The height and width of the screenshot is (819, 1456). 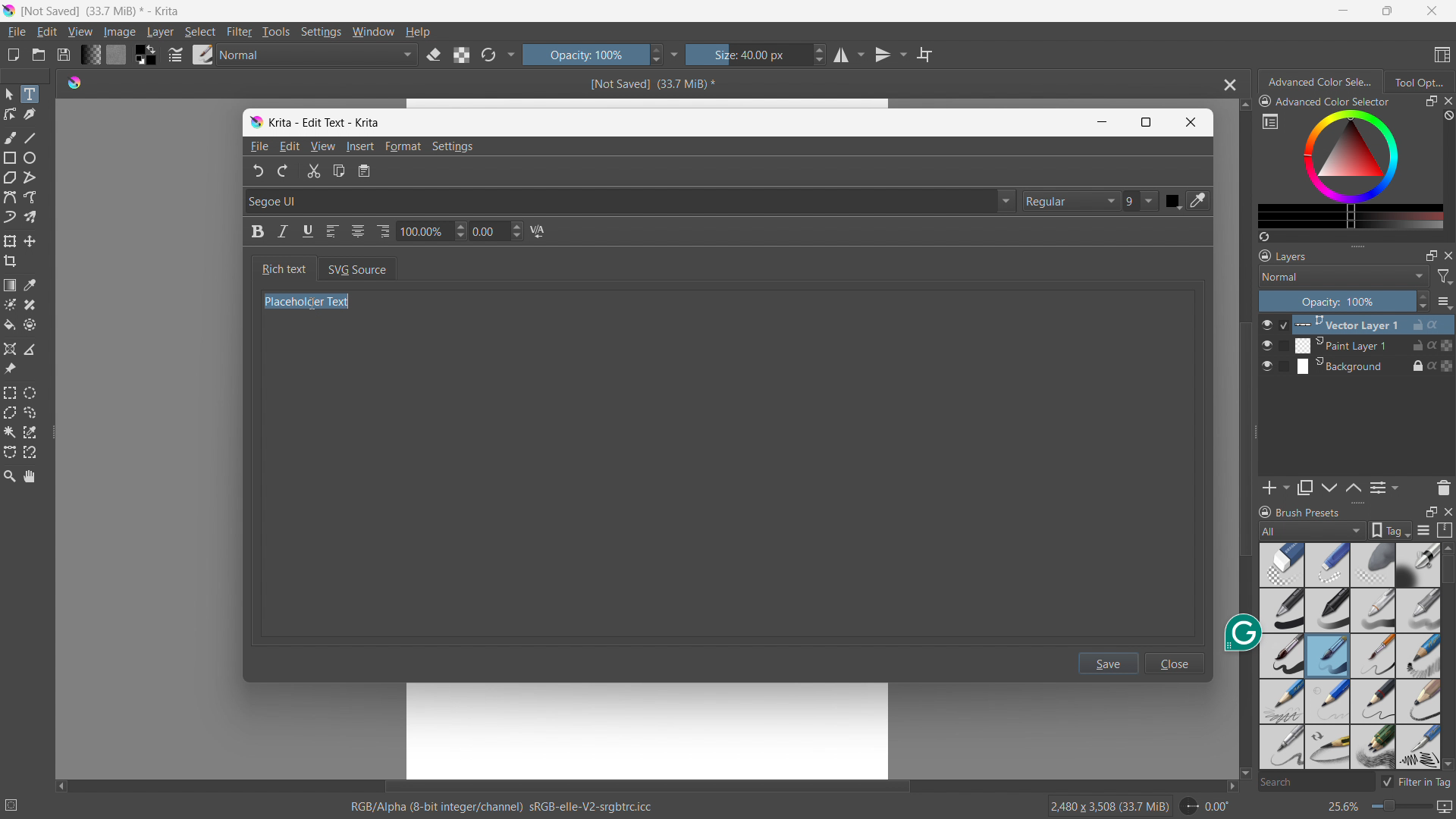 What do you see at coordinates (277, 32) in the screenshot?
I see `tools` at bounding box center [277, 32].